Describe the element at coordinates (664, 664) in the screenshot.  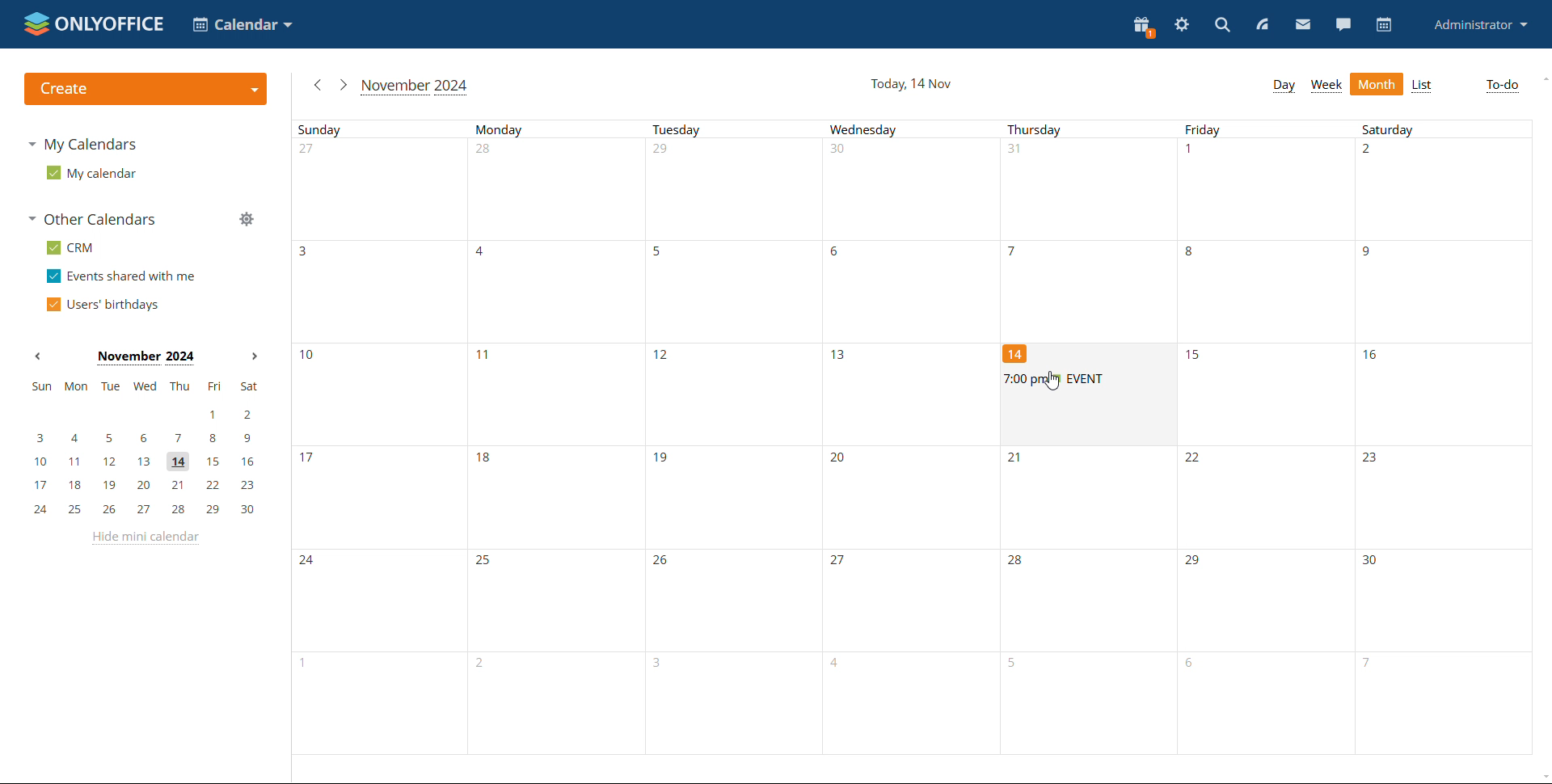
I see `number` at that location.